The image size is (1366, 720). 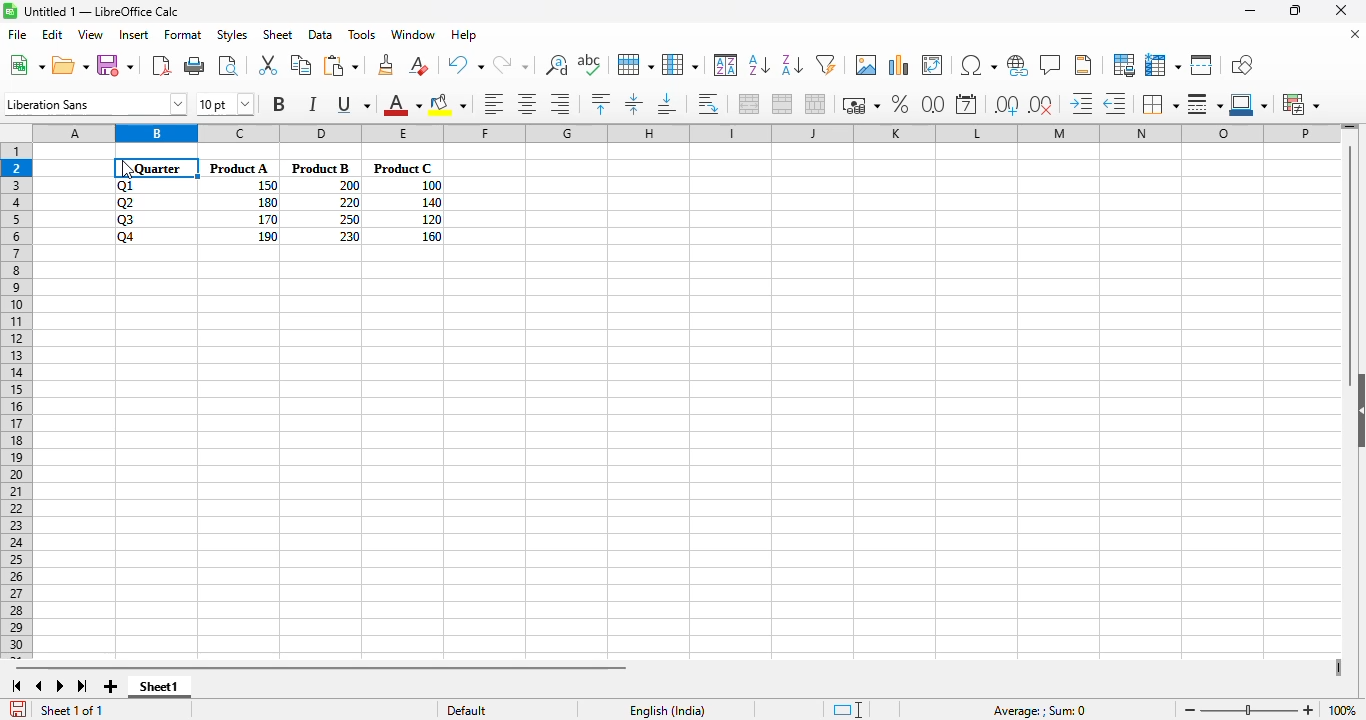 What do you see at coordinates (267, 64) in the screenshot?
I see `cut` at bounding box center [267, 64].